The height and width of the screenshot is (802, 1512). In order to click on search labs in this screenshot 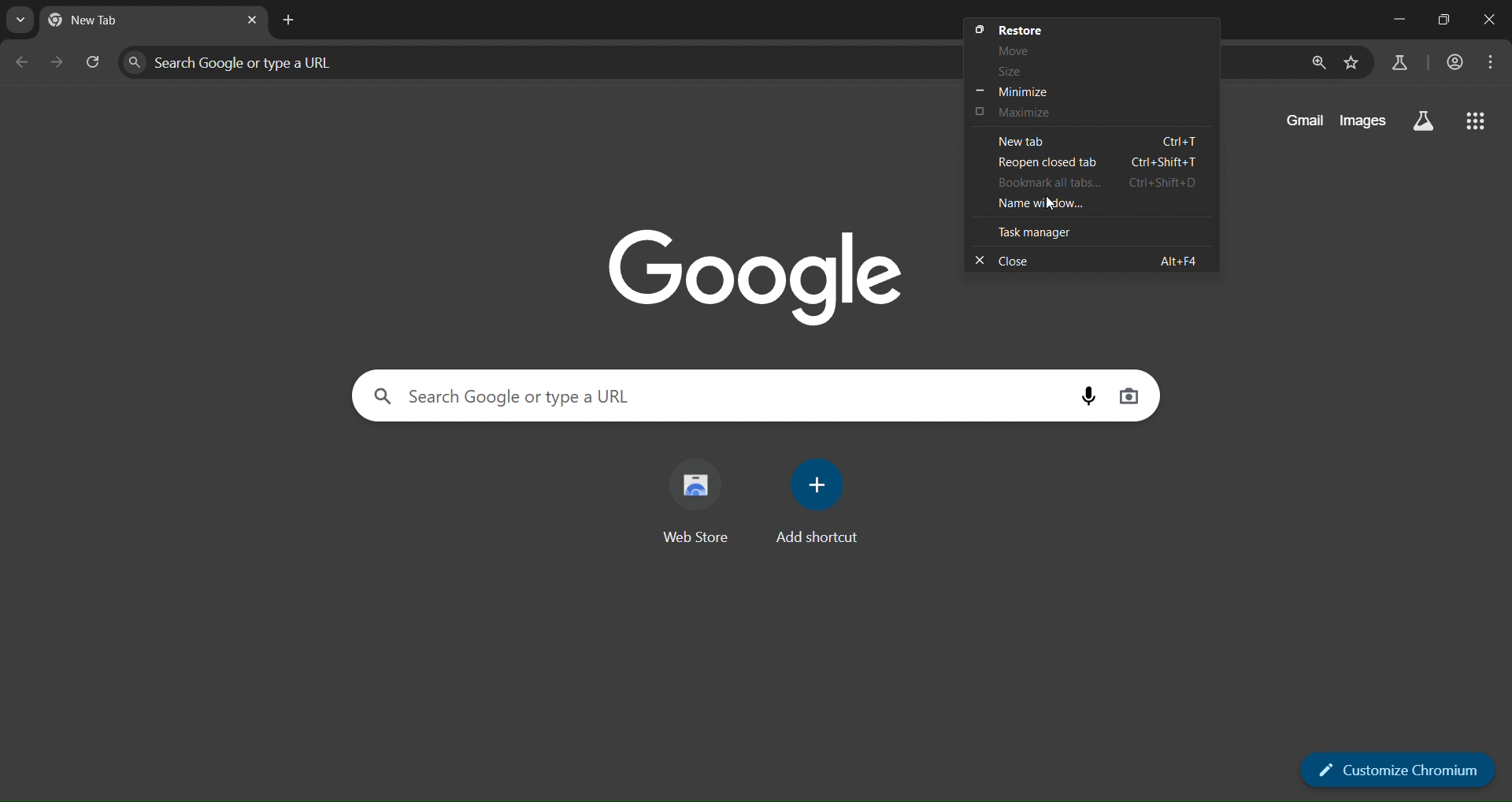, I will do `click(1399, 62)`.